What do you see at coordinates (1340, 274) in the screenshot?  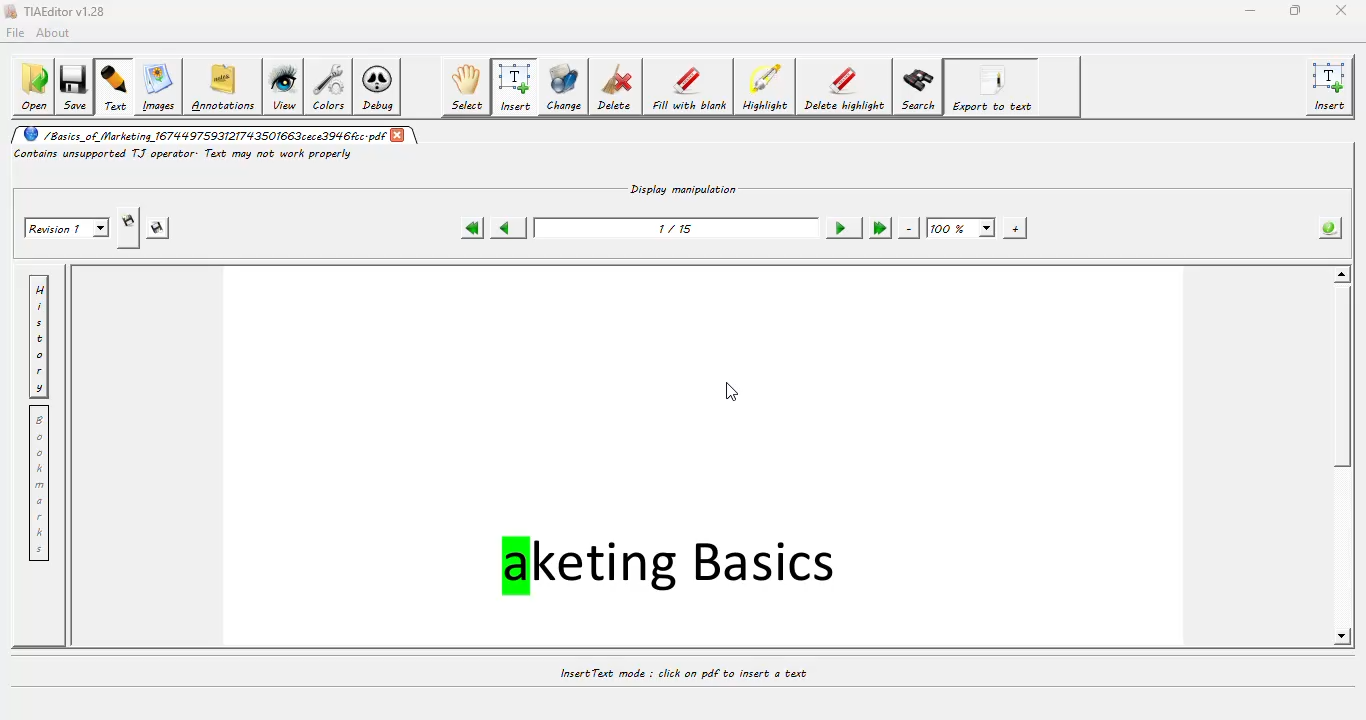 I see `scroll up` at bounding box center [1340, 274].